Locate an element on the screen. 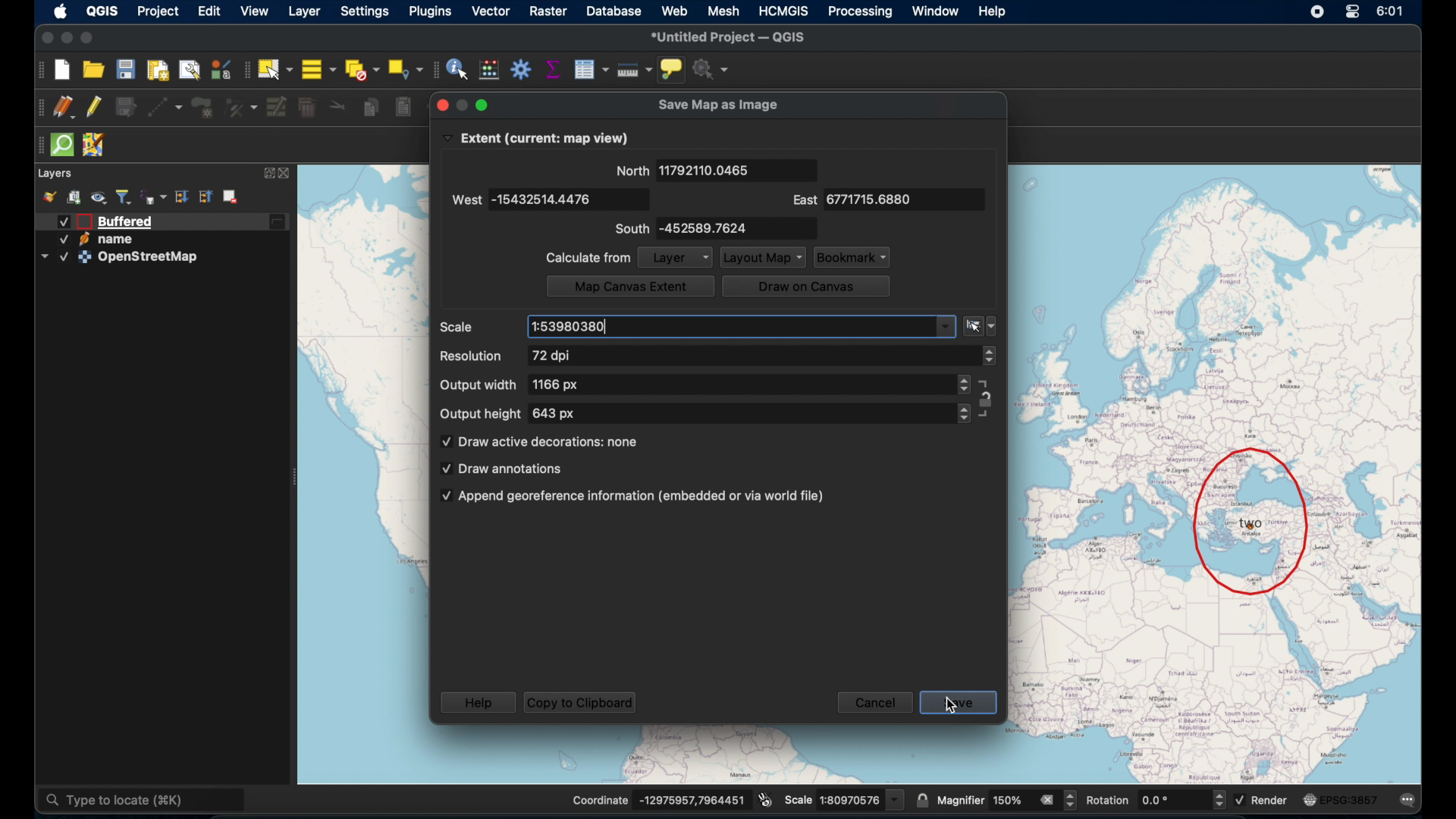 The height and width of the screenshot is (819, 1456). scale is located at coordinates (459, 327).